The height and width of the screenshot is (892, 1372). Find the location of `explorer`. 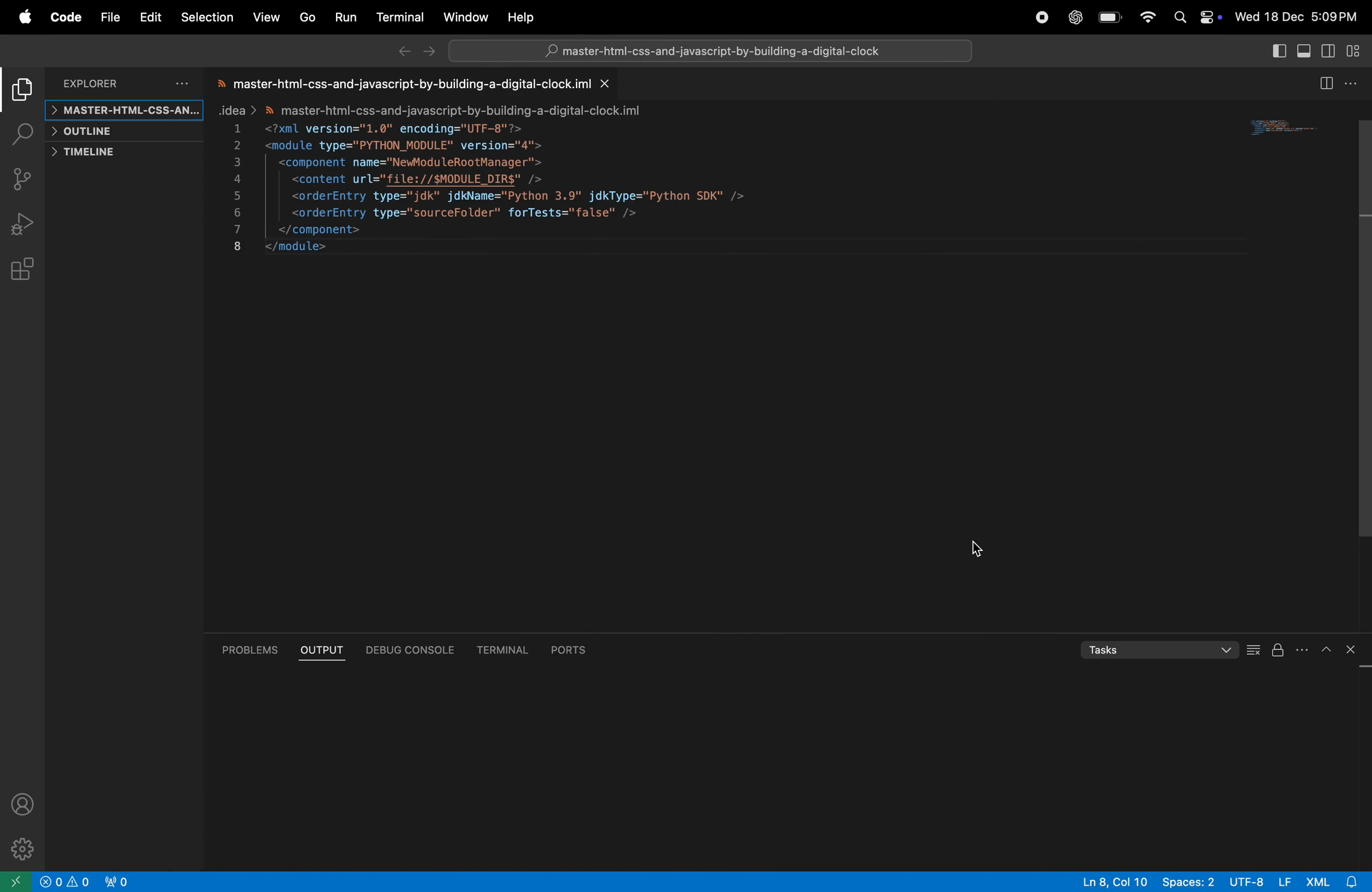

explorer is located at coordinates (93, 82).